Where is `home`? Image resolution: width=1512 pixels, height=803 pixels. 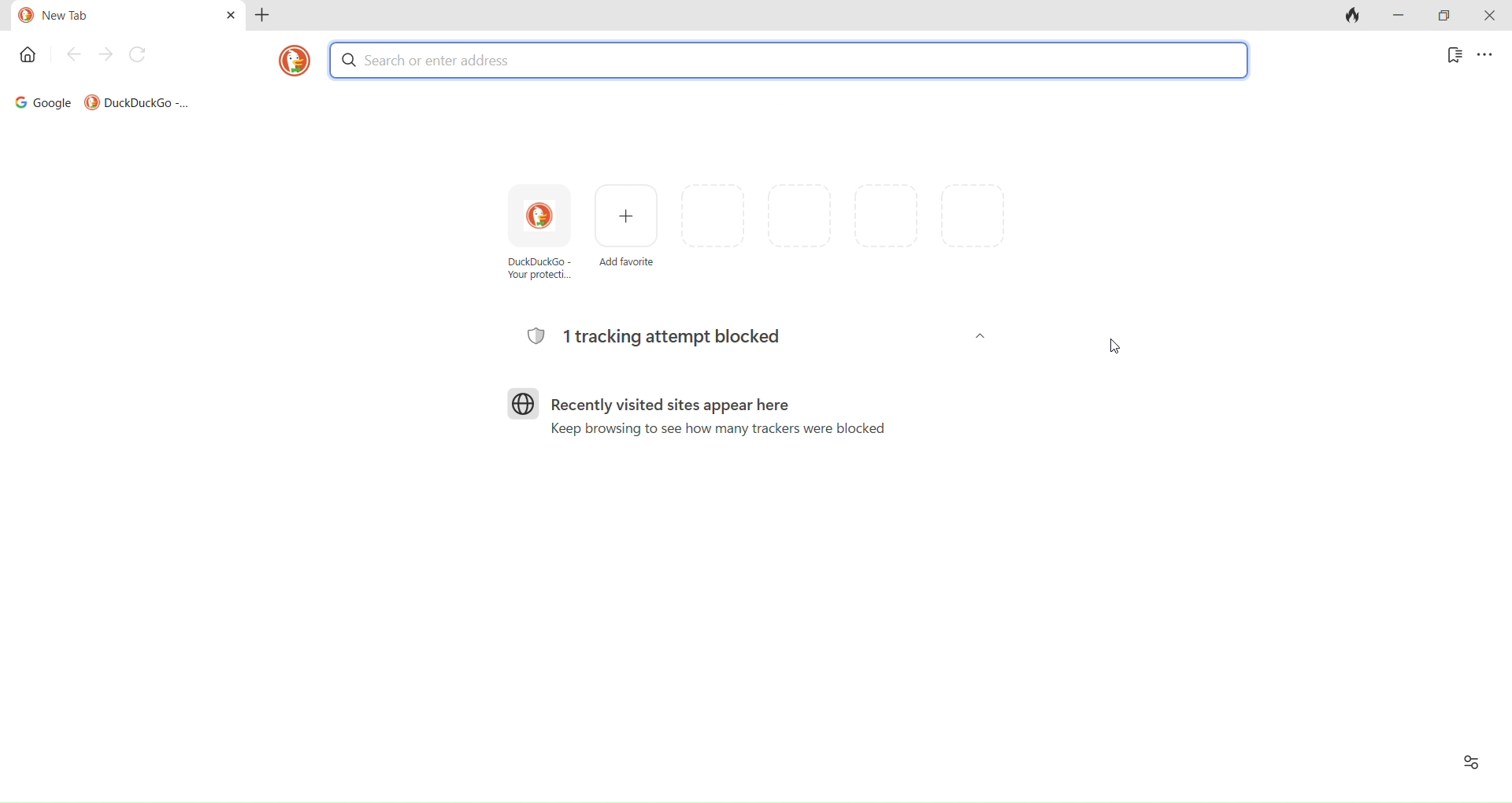 home is located at coordinates (26, 59).